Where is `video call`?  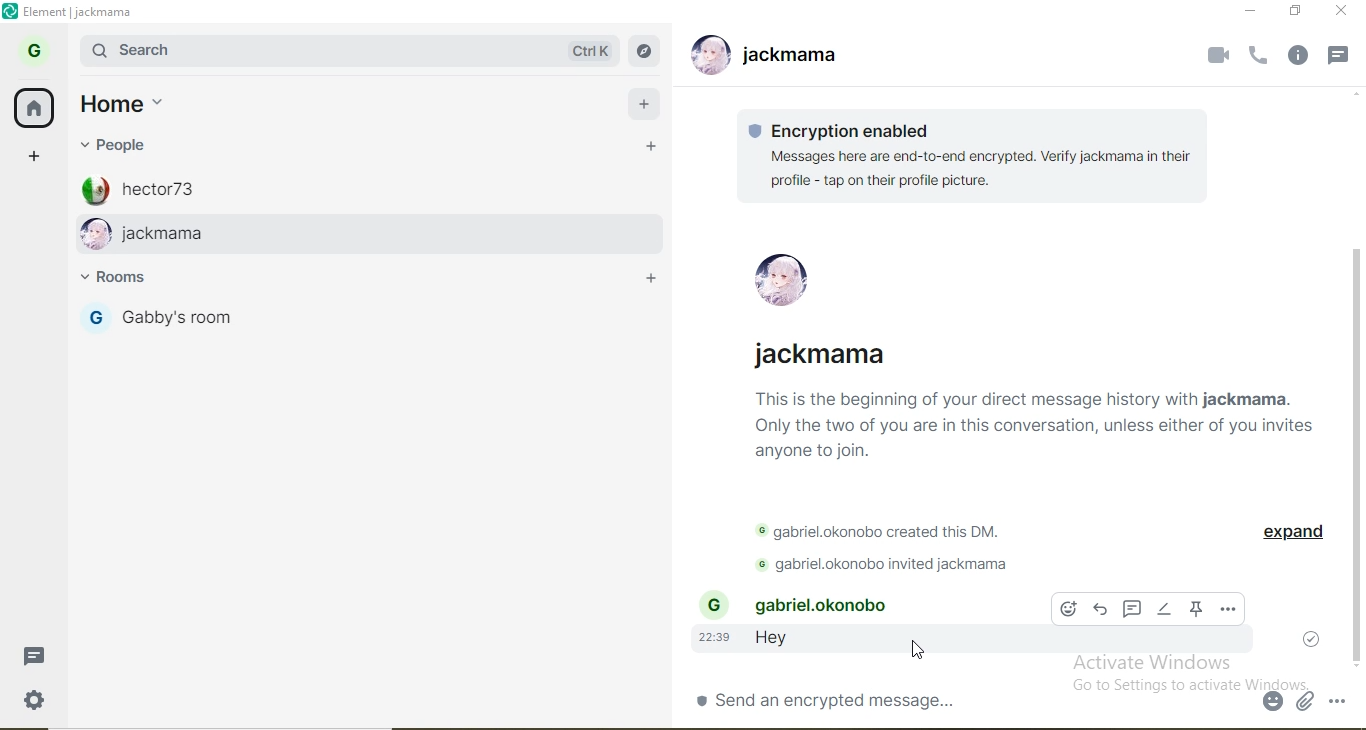 video call is located at coordinates (1216, 56).